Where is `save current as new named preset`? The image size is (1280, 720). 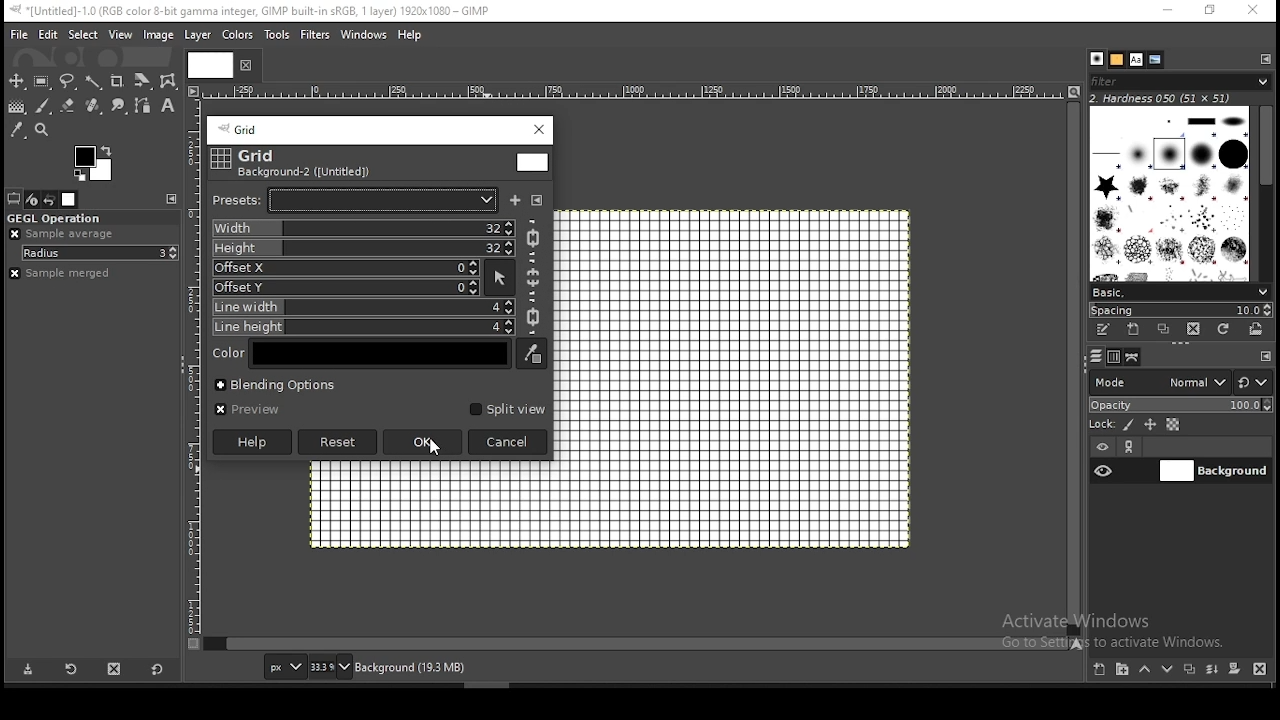 save current as new named preset is located at coordinates (516, 200).